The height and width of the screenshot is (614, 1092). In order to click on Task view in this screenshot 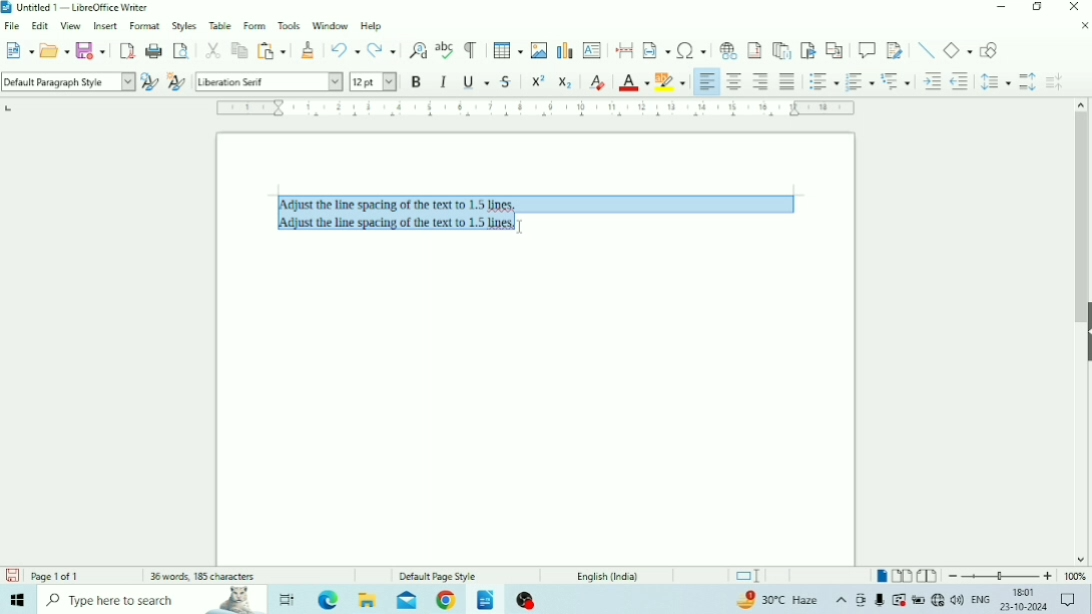, I will do `click(287, 599)`.